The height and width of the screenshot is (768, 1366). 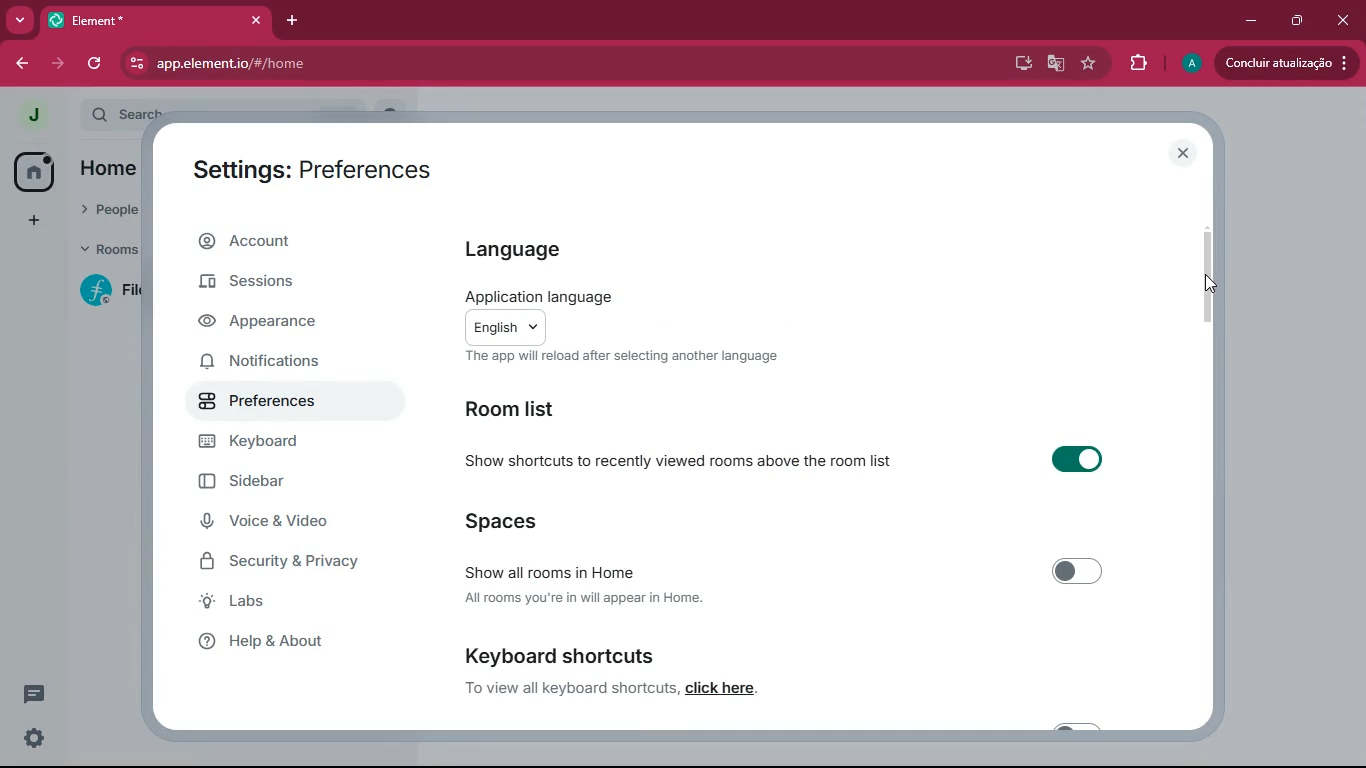 What do you see at coordinates (323, 168) in the screenshot?
I see `settings: preferences` at bounding box center [323, 168].